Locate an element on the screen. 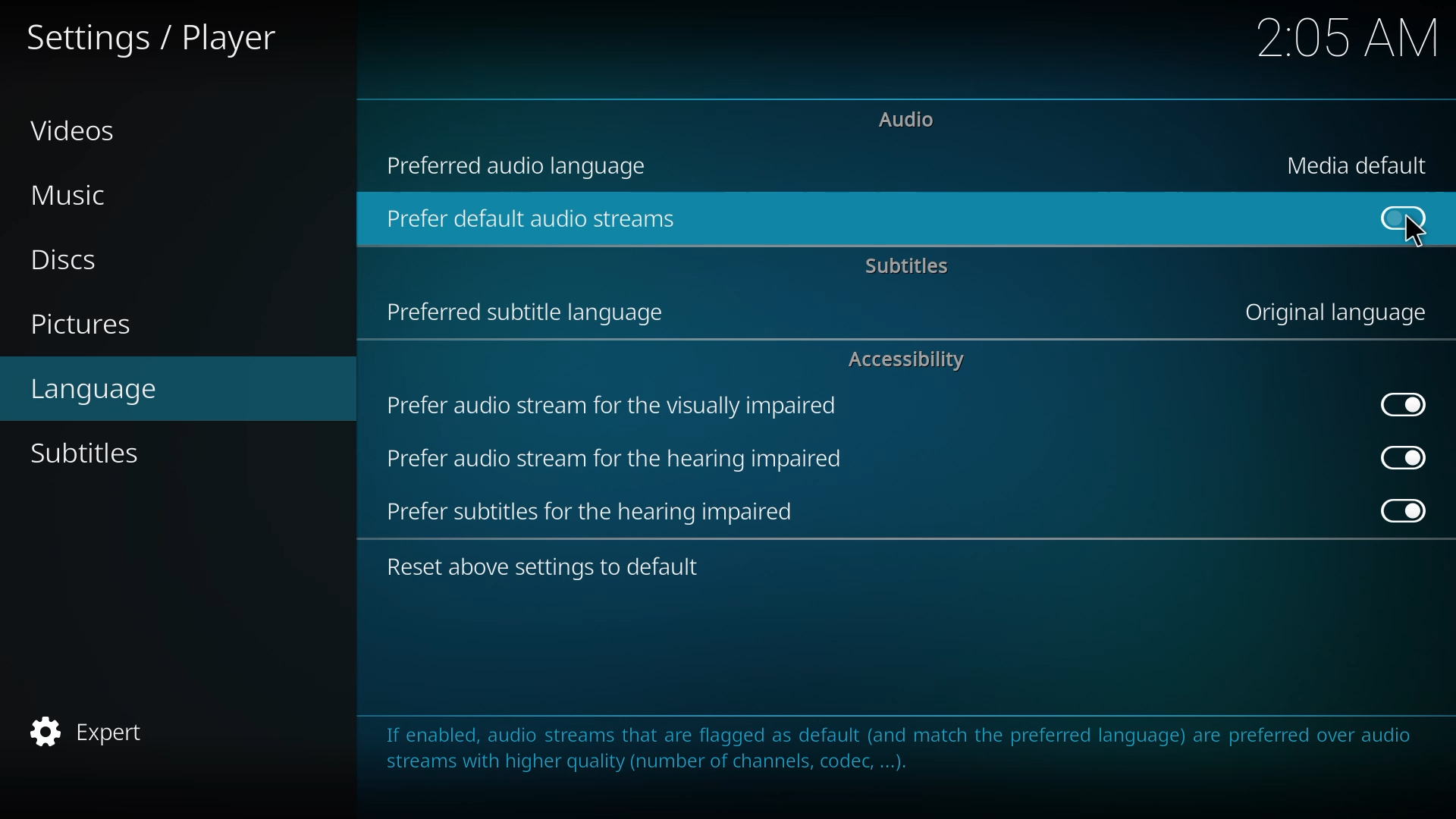 This screenshot has height=819, width=1456. music is located at coordinates (75, 196).